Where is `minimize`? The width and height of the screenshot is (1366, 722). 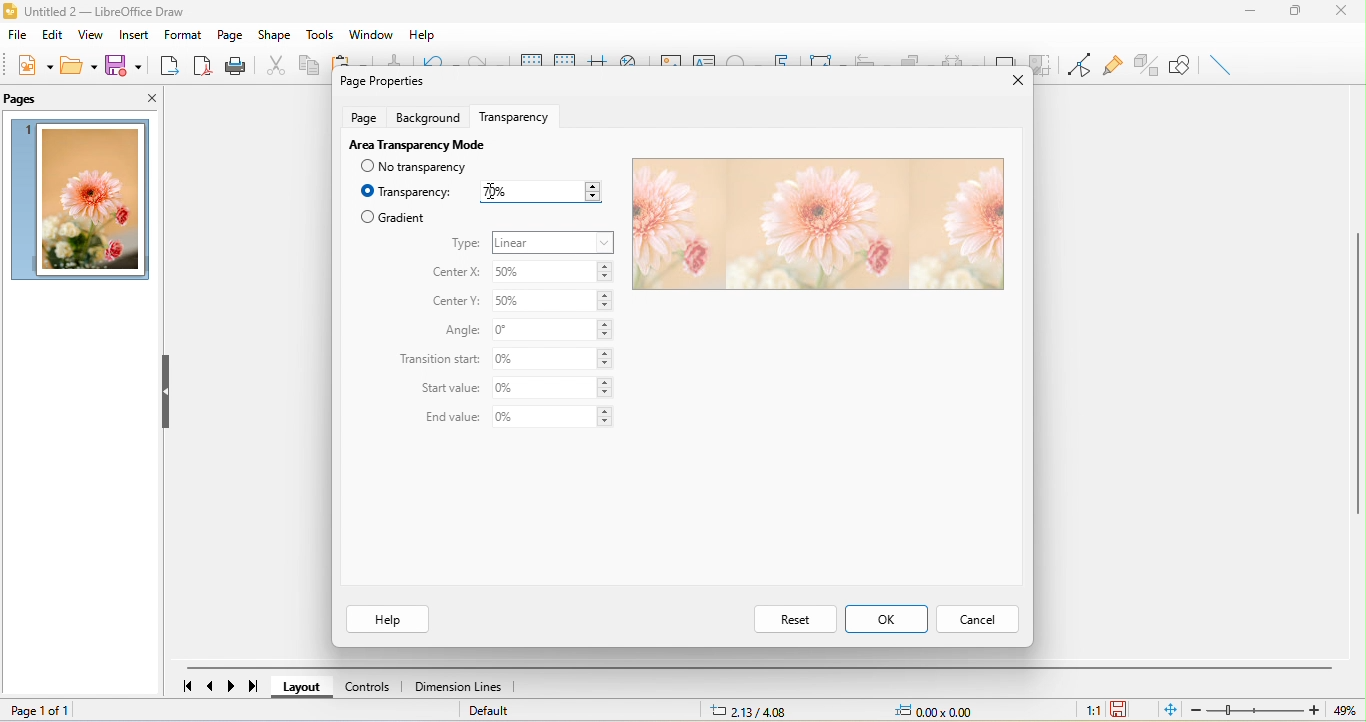 minimize is located at coordinates (1258, 13).